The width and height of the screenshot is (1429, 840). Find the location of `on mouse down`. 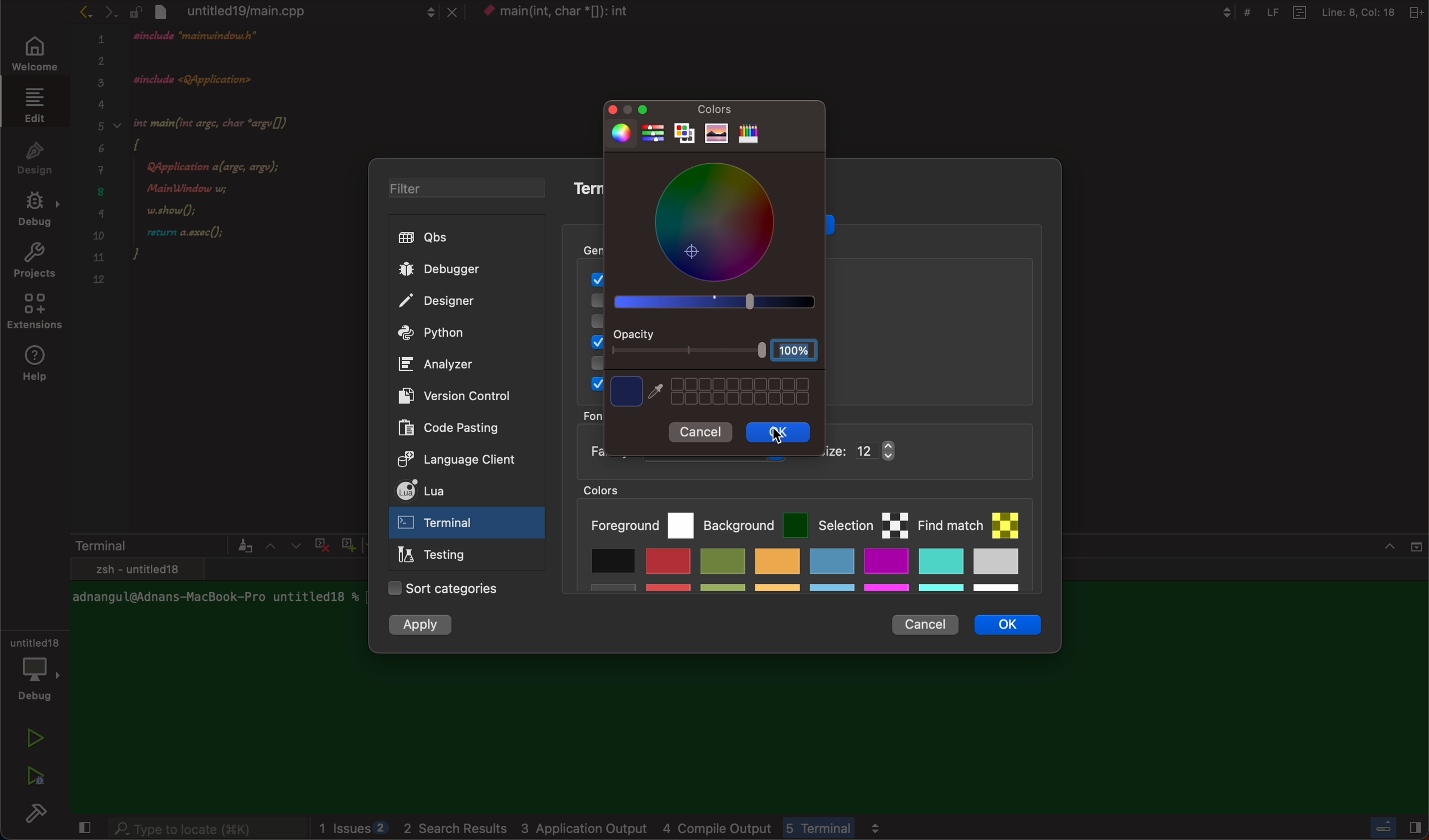

on mouse down is located at coordinates (467, 525).